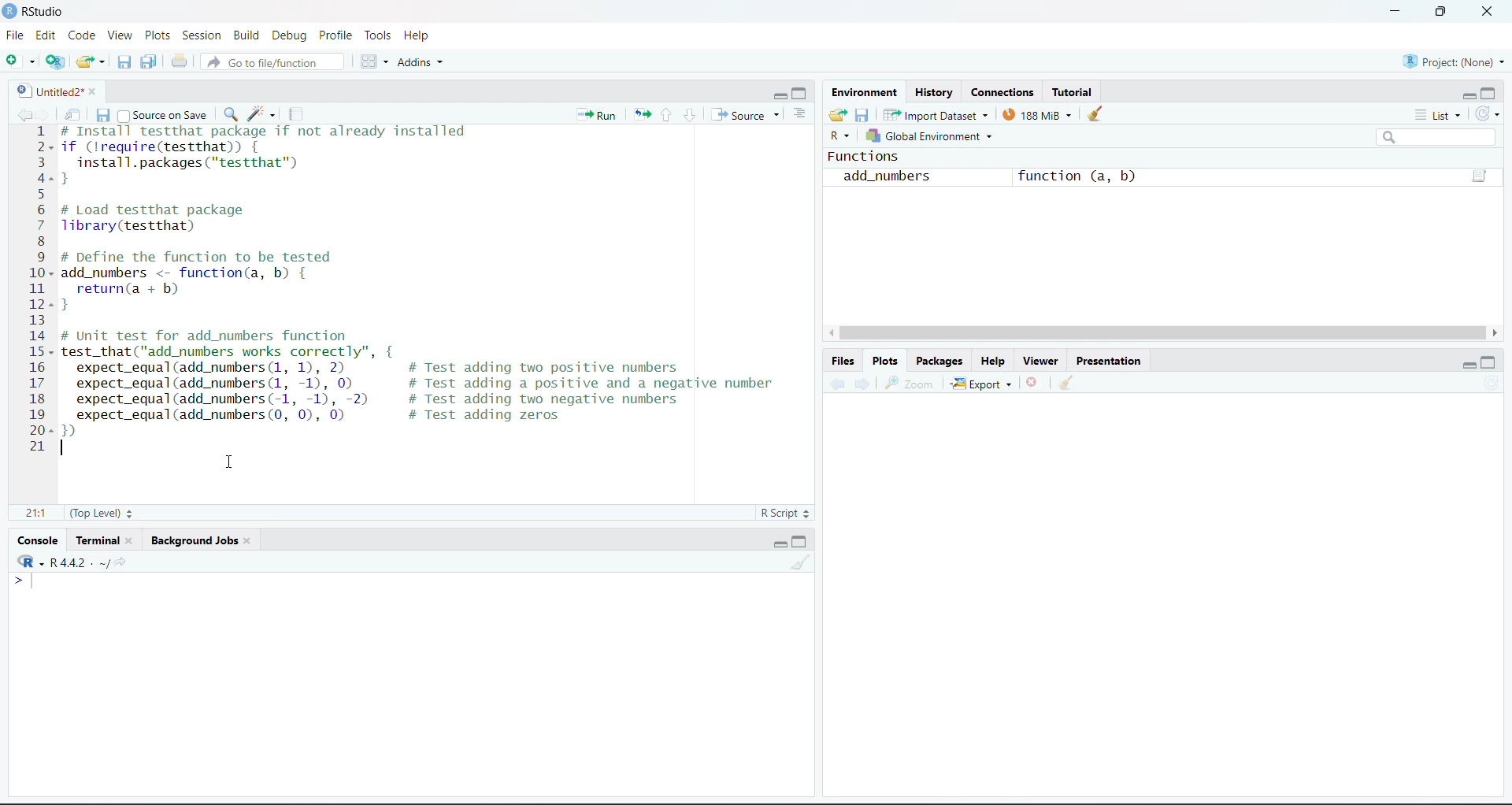 Image resolution: width=1512 pixels, height=805 pixels. I want to click on Help, so click(417, 35).